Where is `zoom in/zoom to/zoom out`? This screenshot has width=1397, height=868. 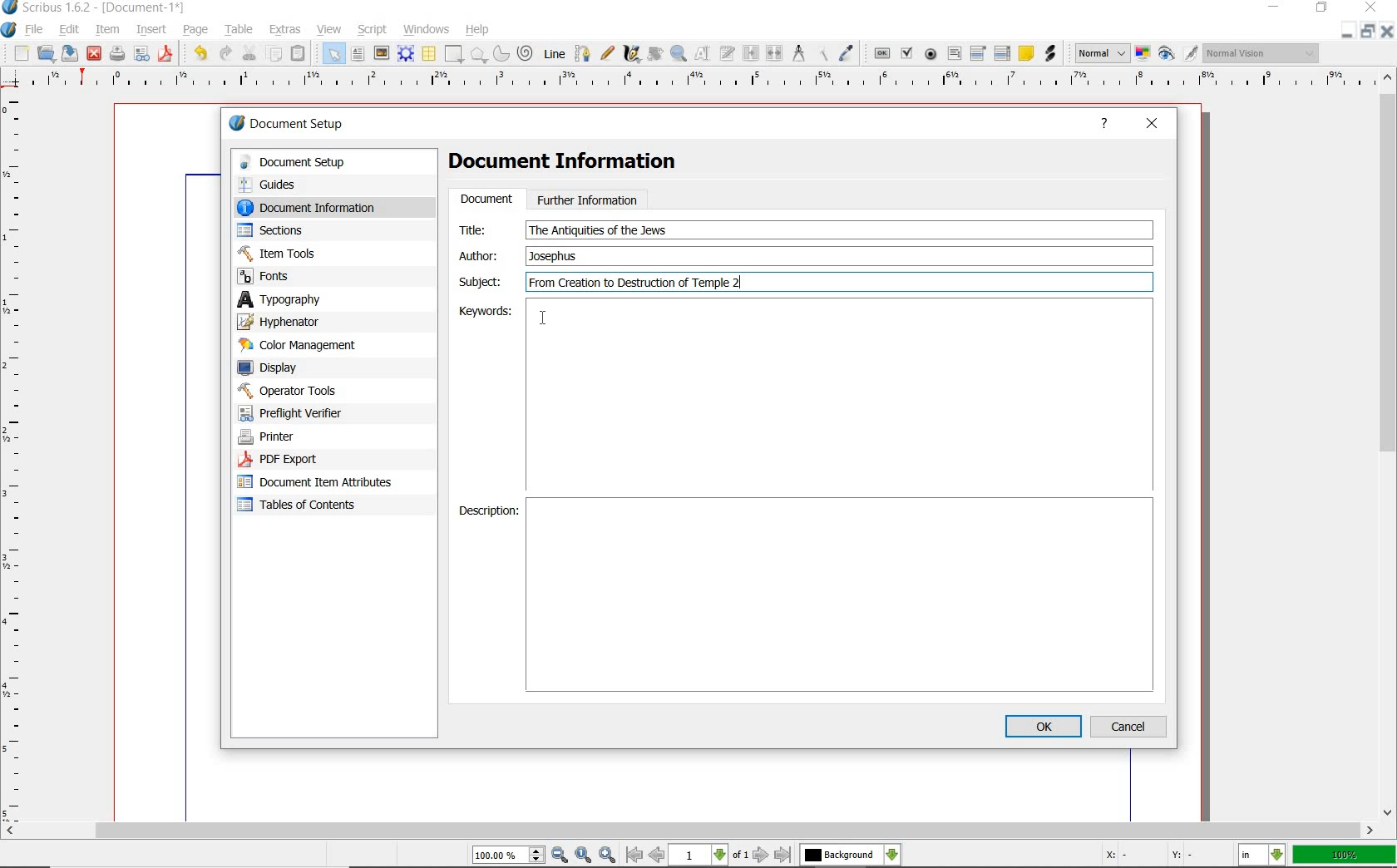 zoom in/zoom to/zoom out is located at coordinates (546, 855).